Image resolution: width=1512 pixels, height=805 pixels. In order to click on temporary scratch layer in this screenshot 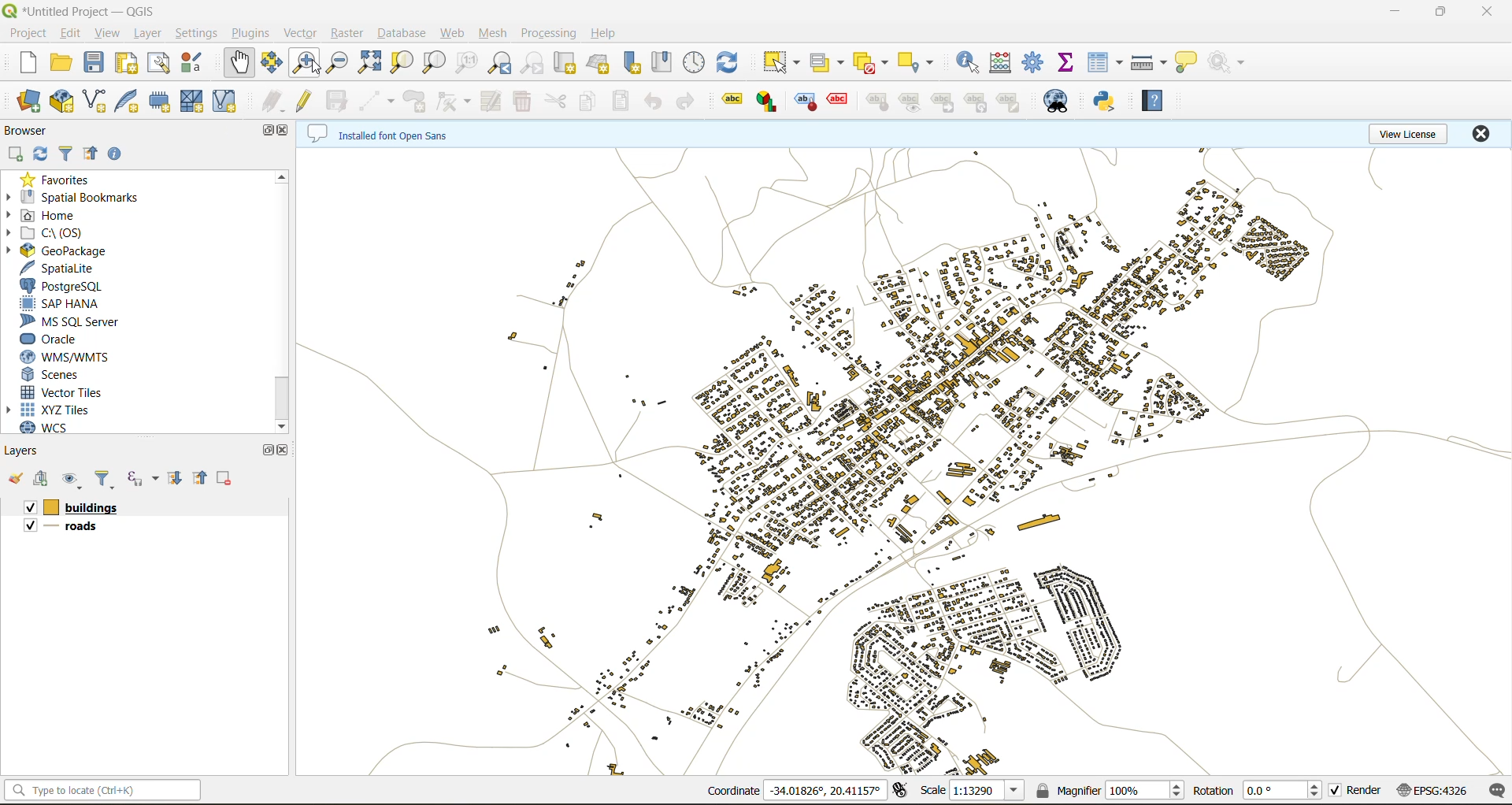, I will do `click(163, 101)`.